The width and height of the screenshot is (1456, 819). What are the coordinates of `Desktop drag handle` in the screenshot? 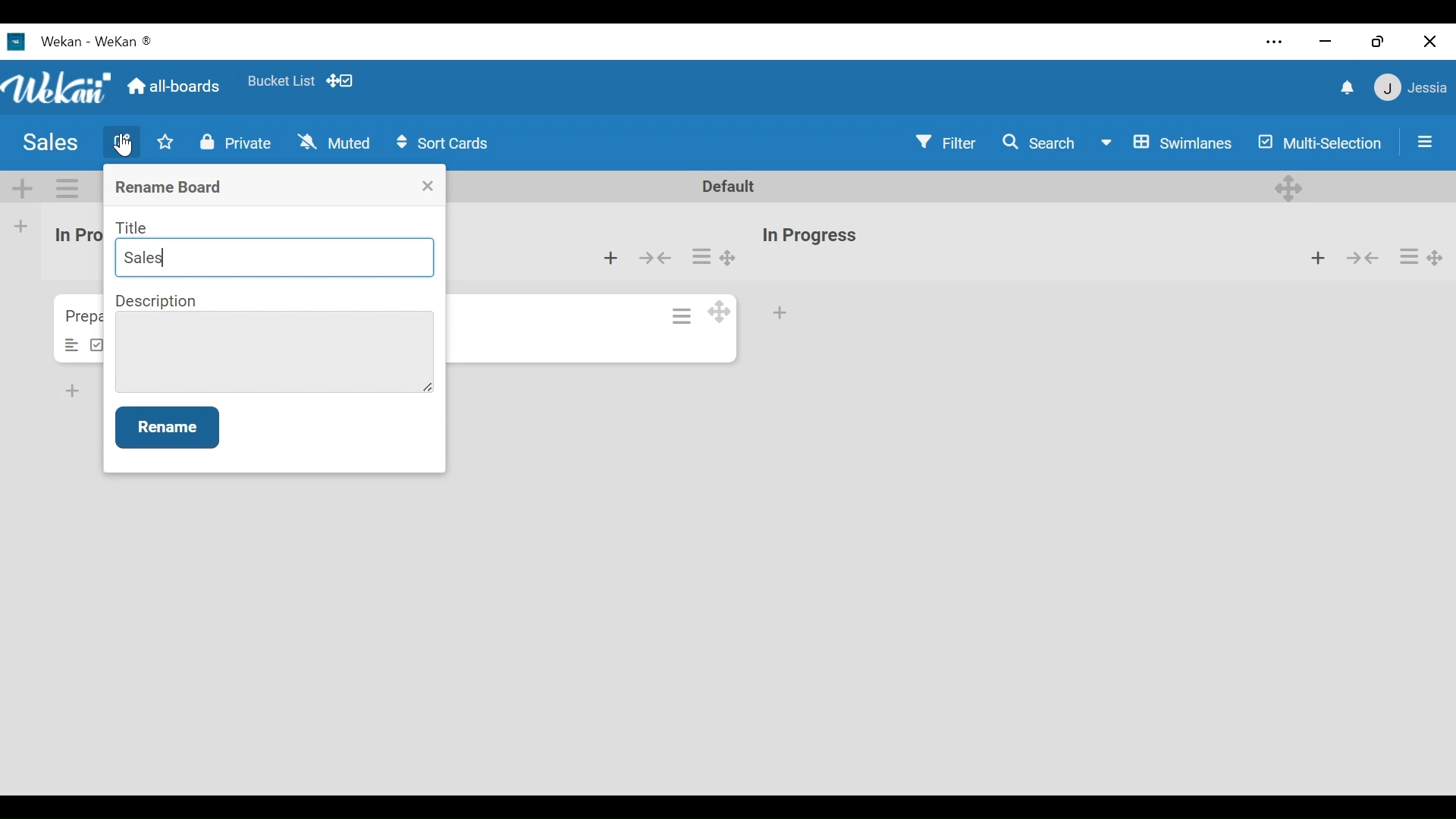 It's located at (718, 311).